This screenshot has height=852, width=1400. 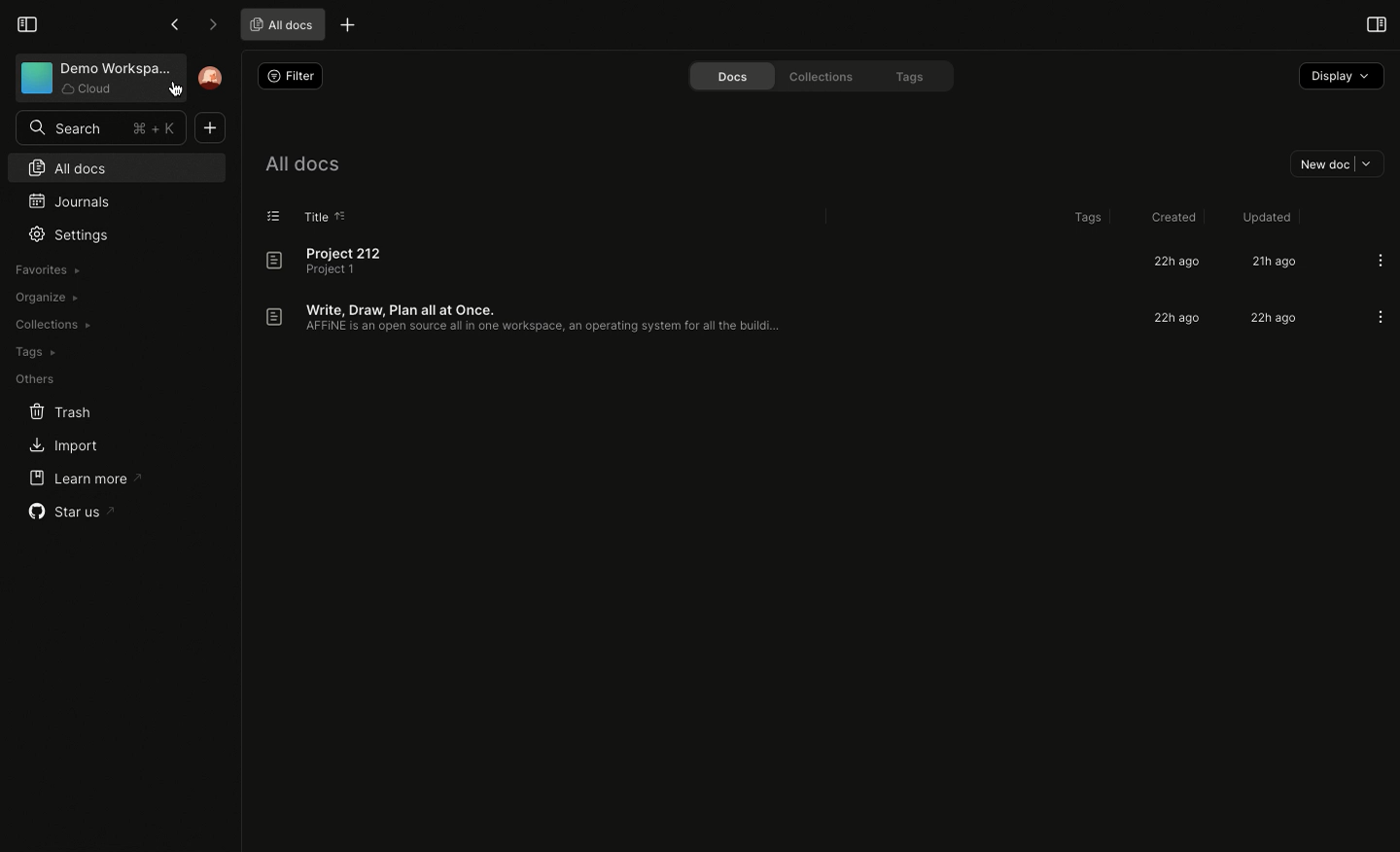 What do you see at coordinates (176, 95) in the screenshot?
I see `cursor` at bounding box center [176, 95].